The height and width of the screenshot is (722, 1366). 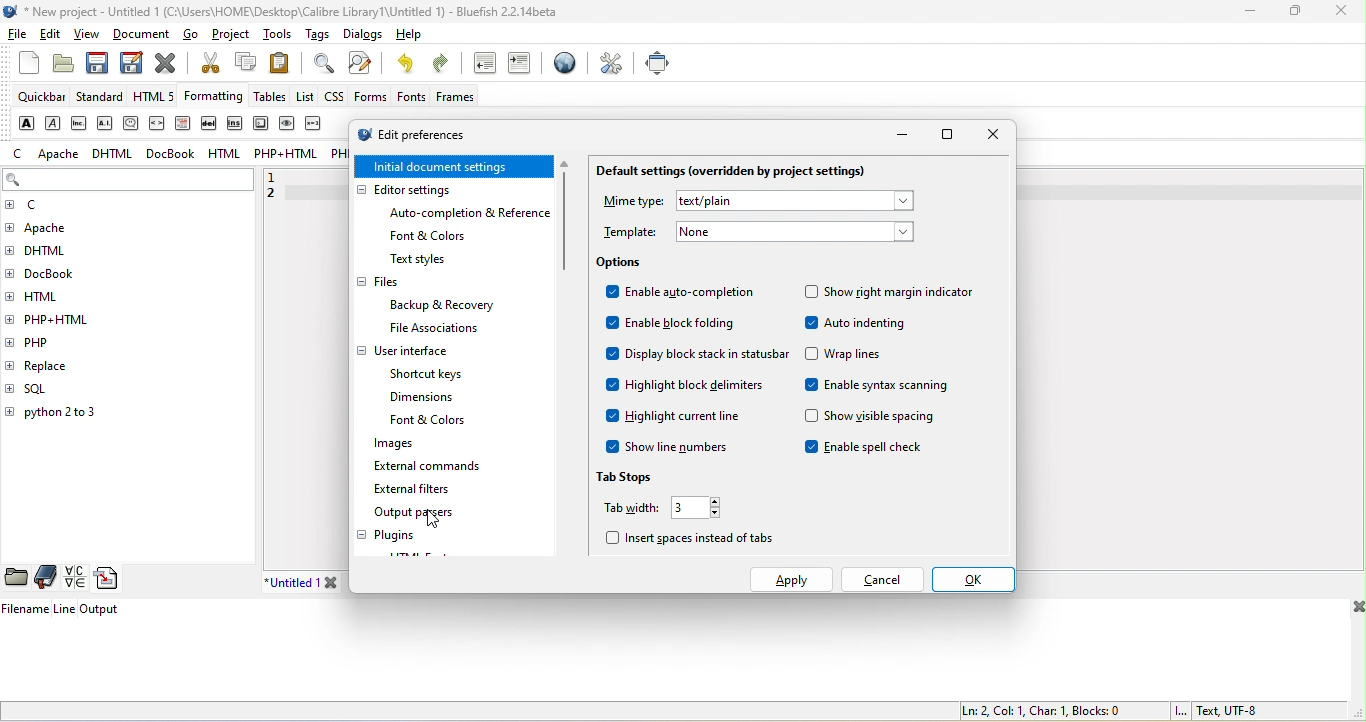 I want to click on font & colors, so click(x=439, y=421).